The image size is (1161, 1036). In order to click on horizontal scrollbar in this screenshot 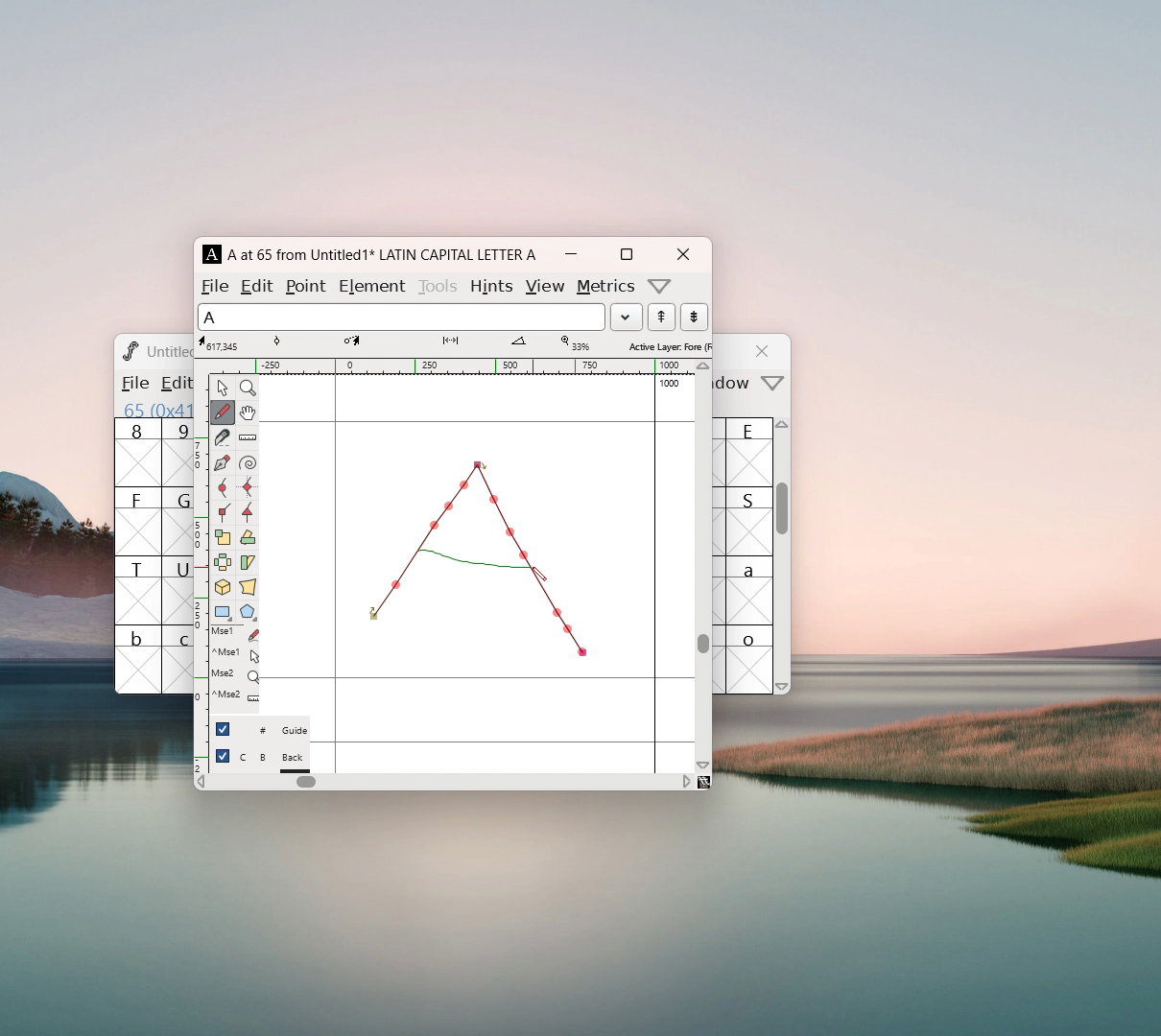, I will do `click(306, 782)`.